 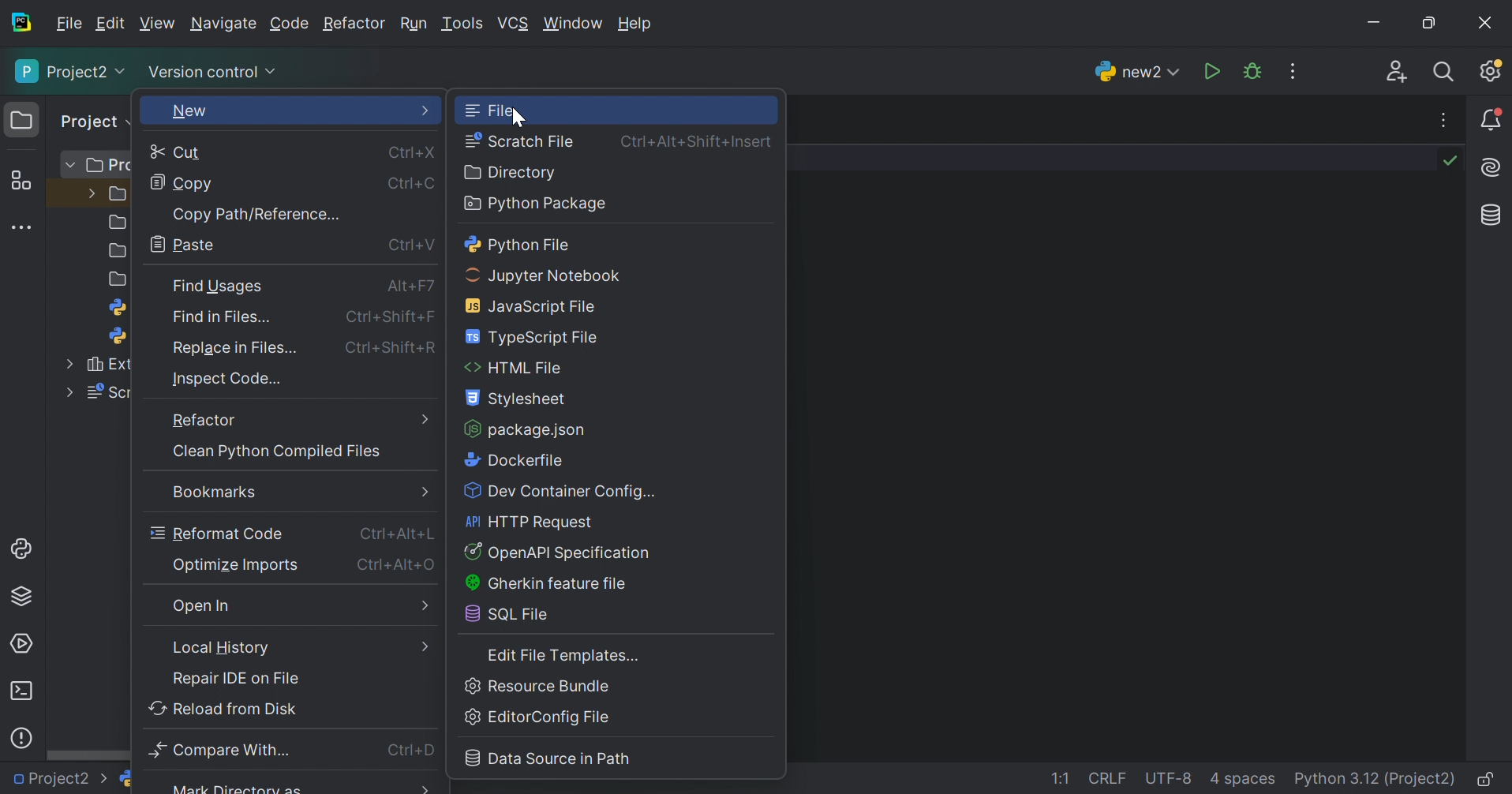 What do you see at coordinates (1133, 70) in the screenshot?
I see `new2.py` at bounding box center [1133, 70].